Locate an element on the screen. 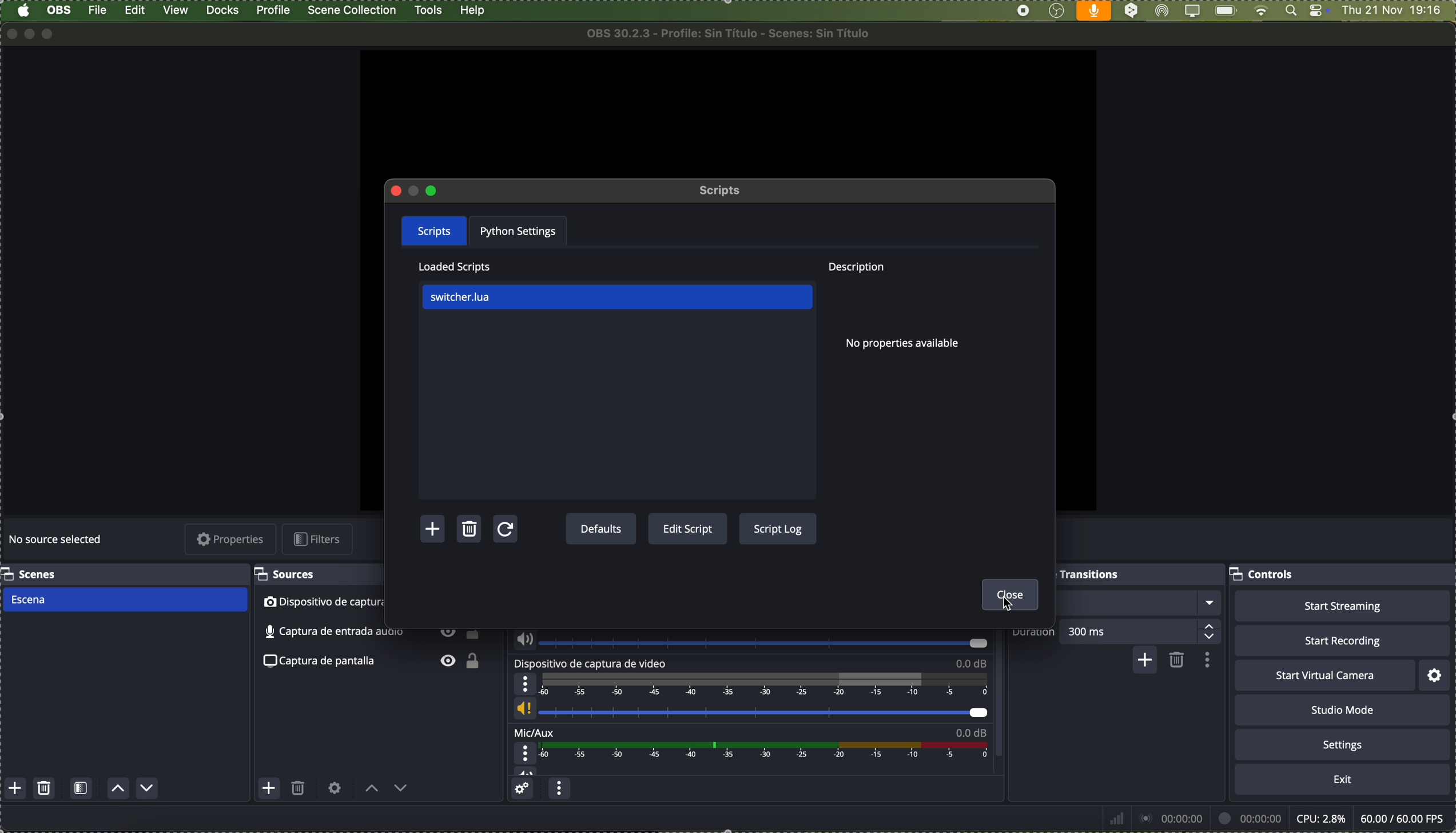  OBS is located at coordinates (60, 10).